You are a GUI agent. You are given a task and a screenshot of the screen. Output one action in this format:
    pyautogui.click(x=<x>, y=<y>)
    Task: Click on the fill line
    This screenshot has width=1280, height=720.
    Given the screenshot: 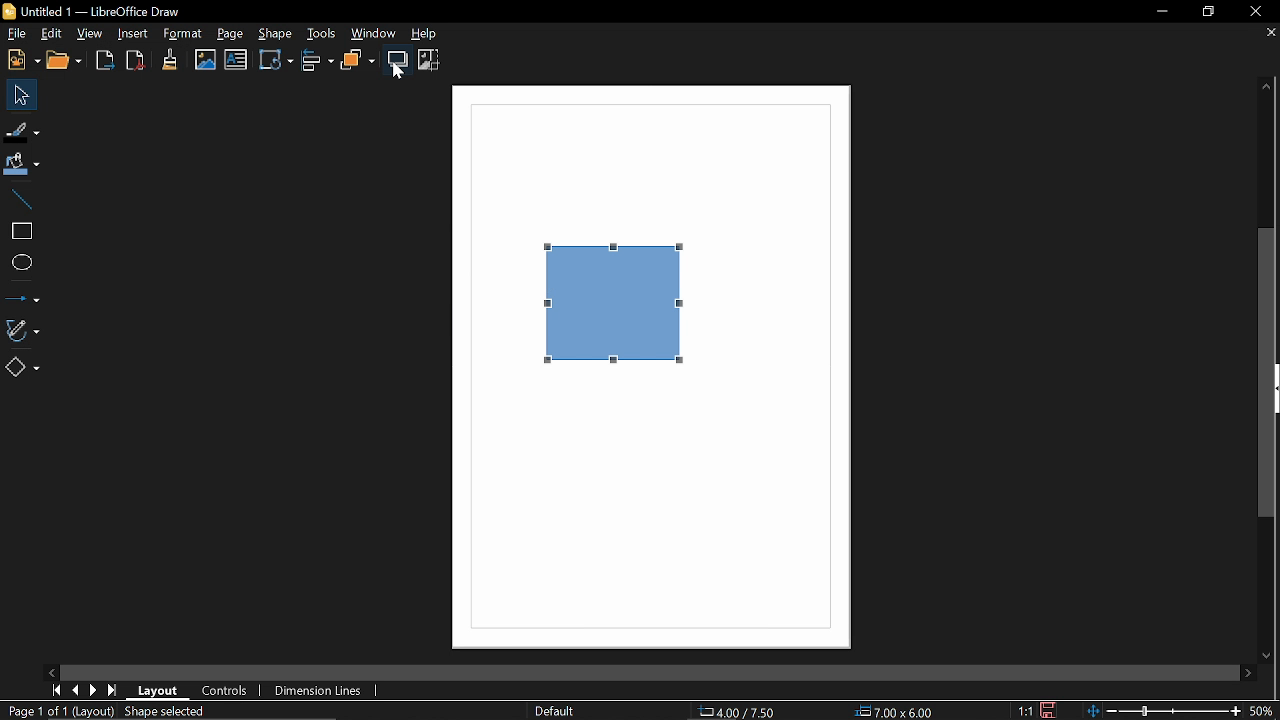 What is the action you would take?
    pyautogui.click(x=23, y=130)
    